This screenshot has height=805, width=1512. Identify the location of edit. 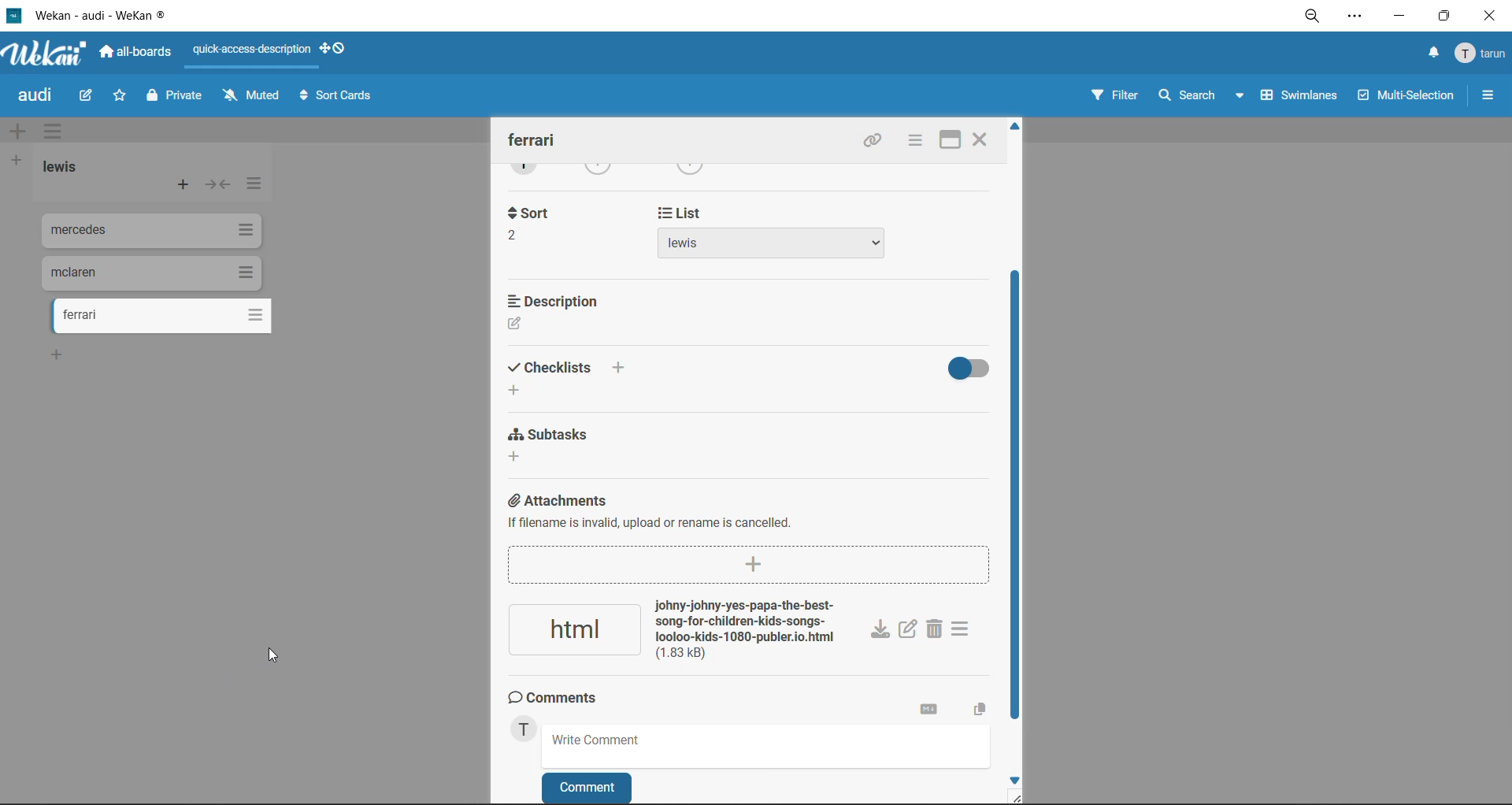
(90, 96).